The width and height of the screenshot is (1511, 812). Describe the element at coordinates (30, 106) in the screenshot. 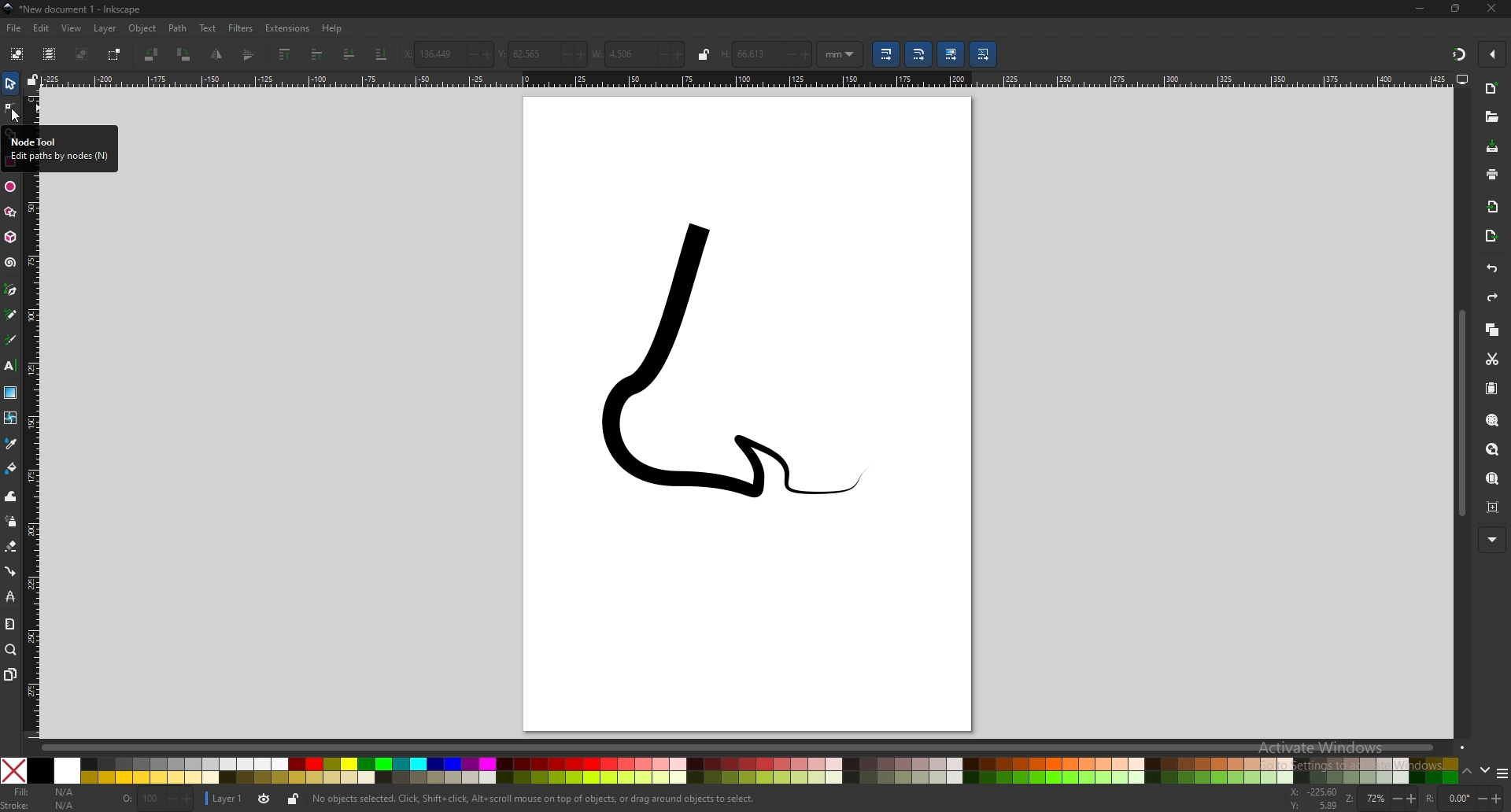

I see `vertical scale` at that location.